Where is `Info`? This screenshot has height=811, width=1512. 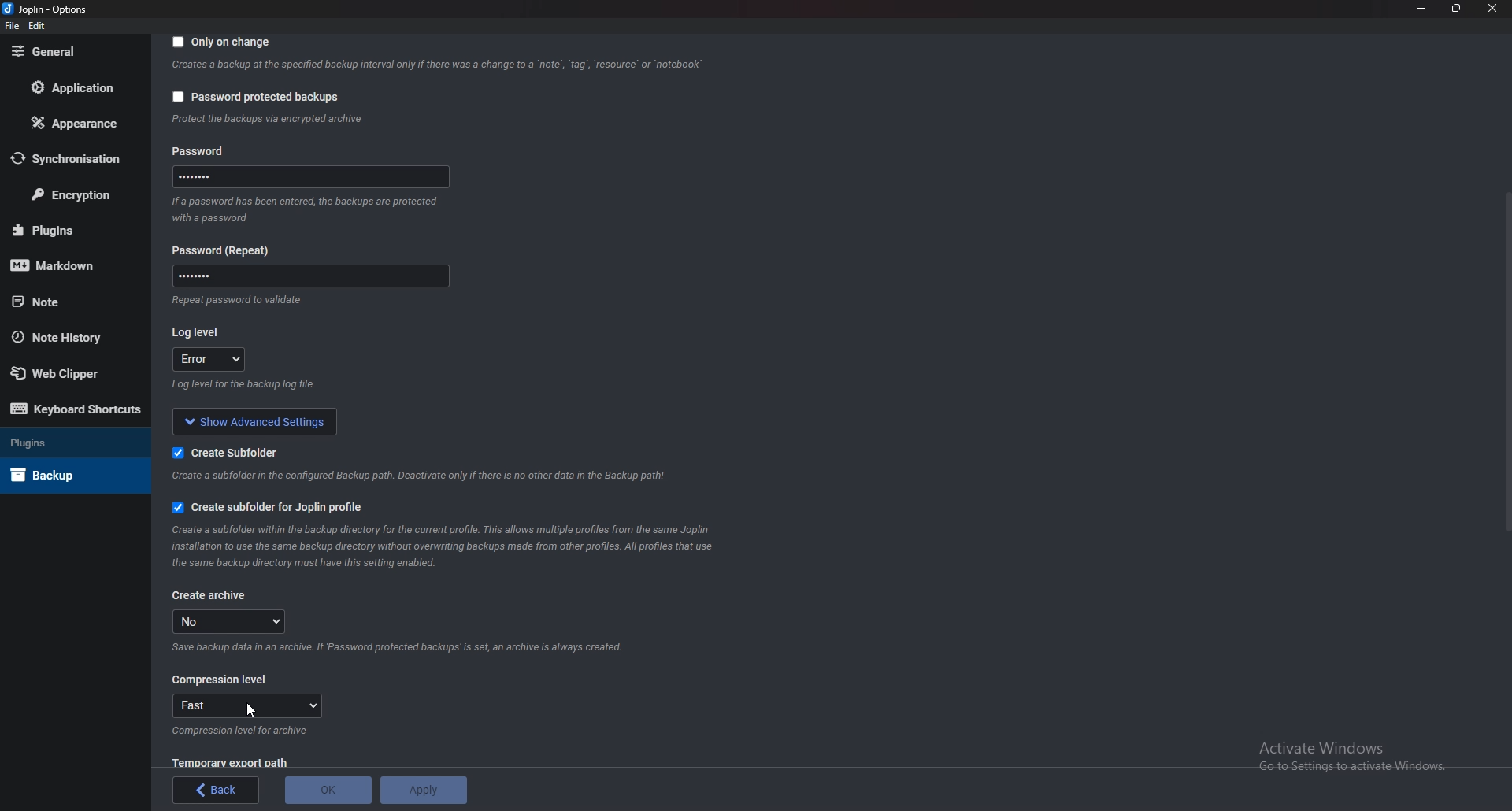 Info is located at coordinates (310, 209).